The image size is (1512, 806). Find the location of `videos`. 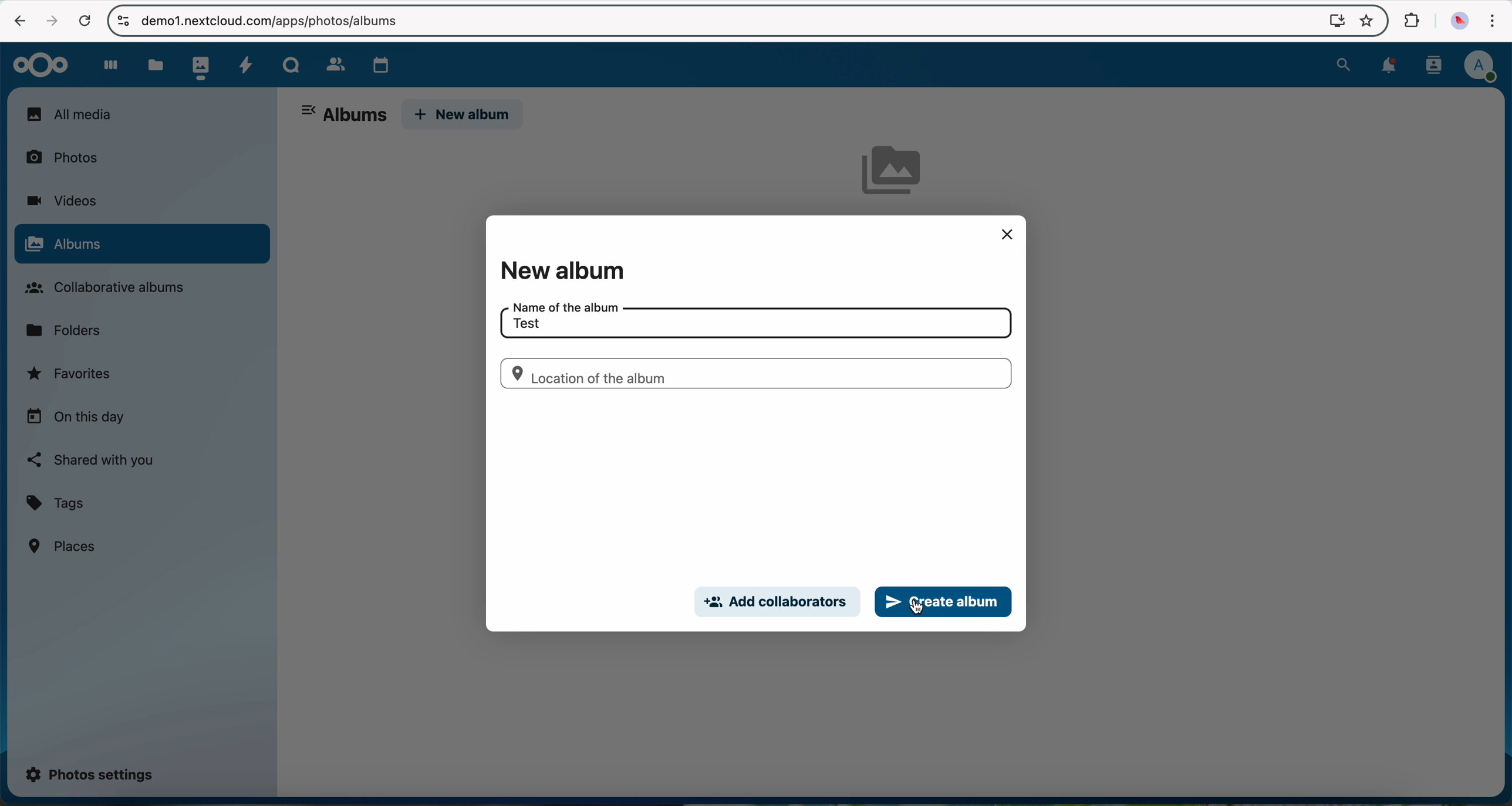

videos is located at coordinates (61, 201).